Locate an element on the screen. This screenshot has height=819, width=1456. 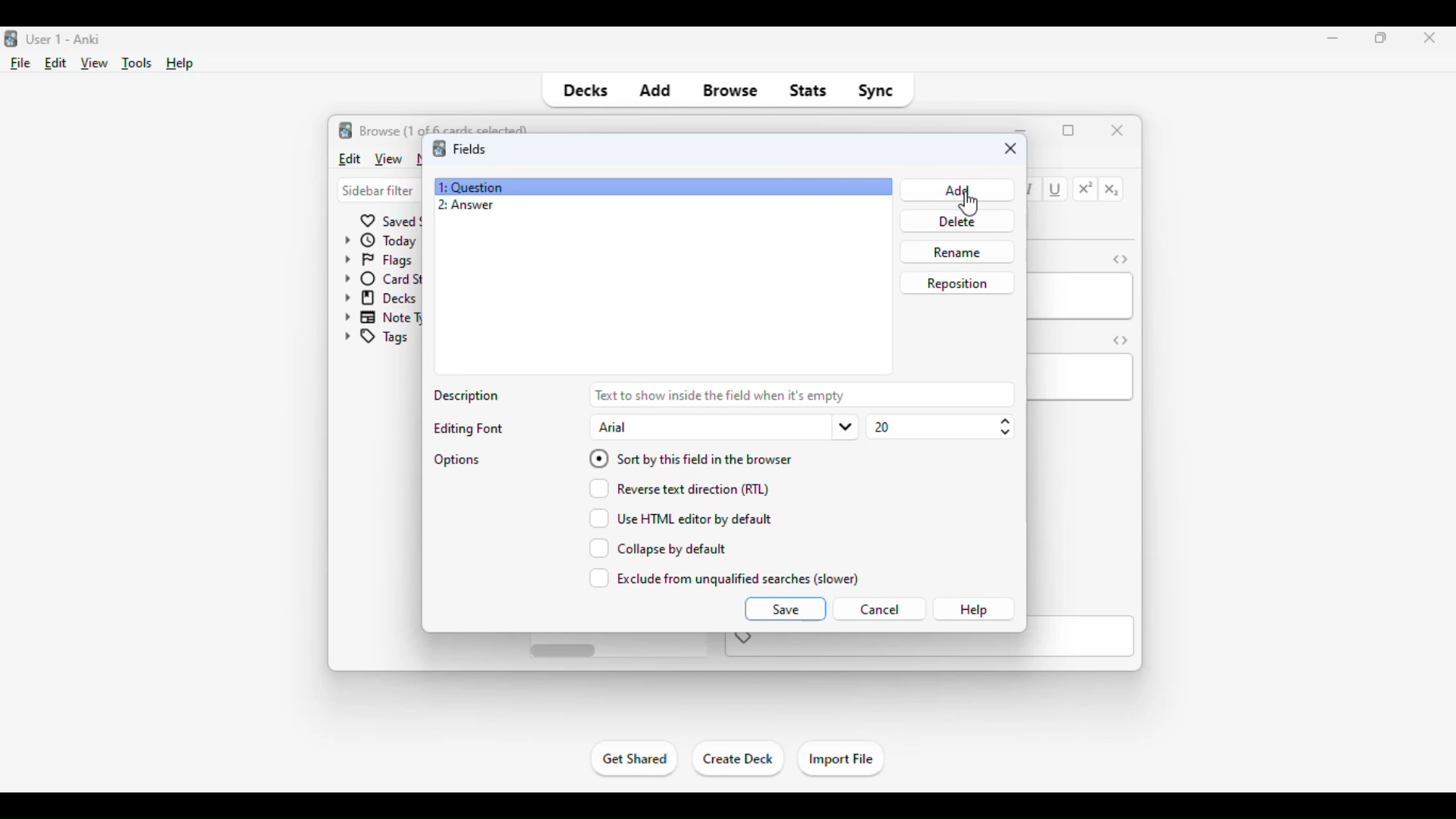
logo is located at coordinates (438, 149).